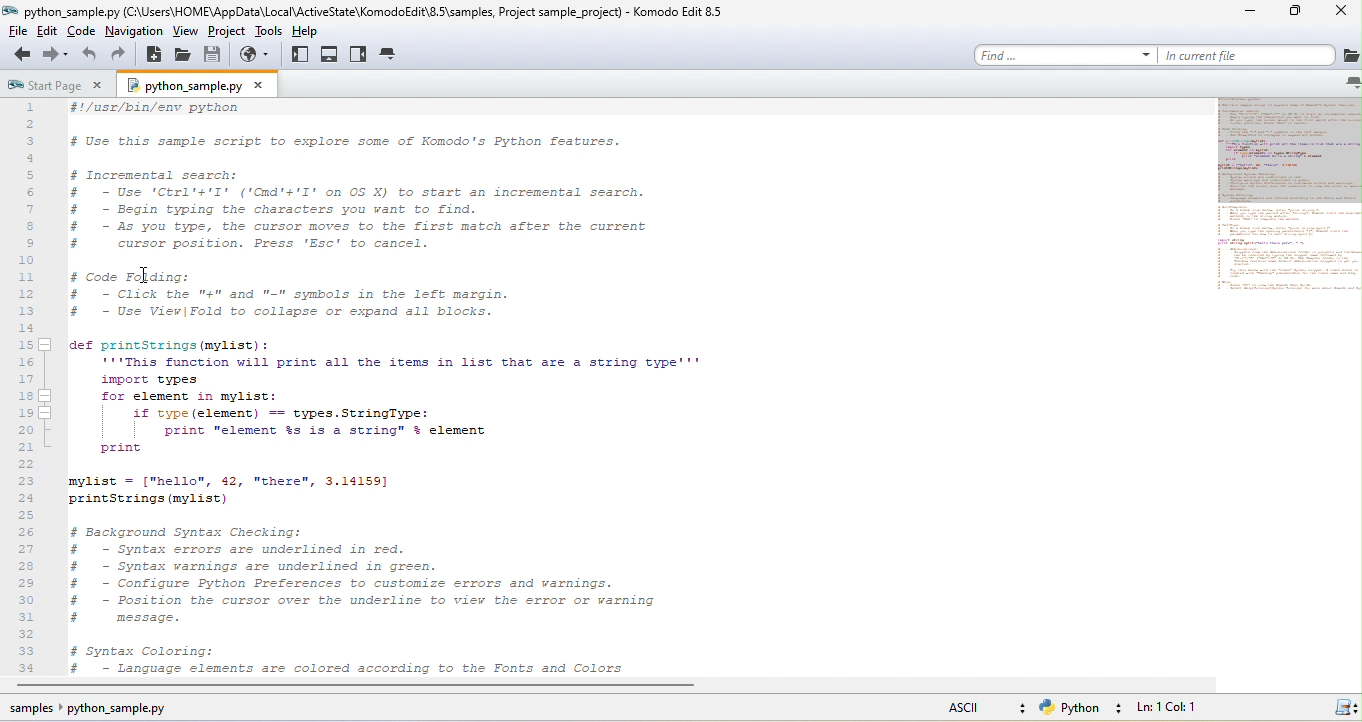 The height and width of the screenshot is (722, 1362). What do you see at coordinates (275, 34) in the screenshot?
I see `tools` at bounding box center [275, 34].